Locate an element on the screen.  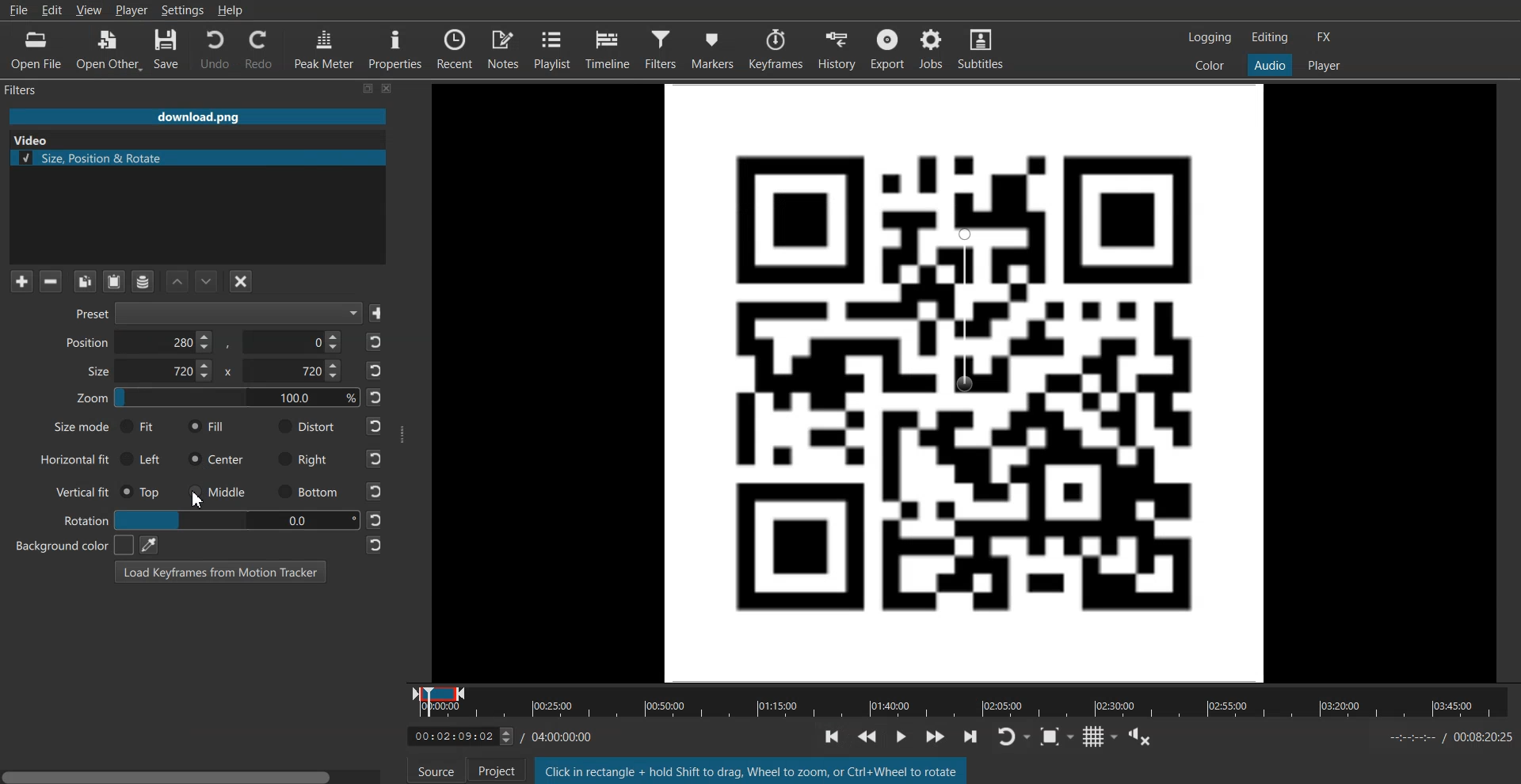
Source is located at coordinates (436, 772).